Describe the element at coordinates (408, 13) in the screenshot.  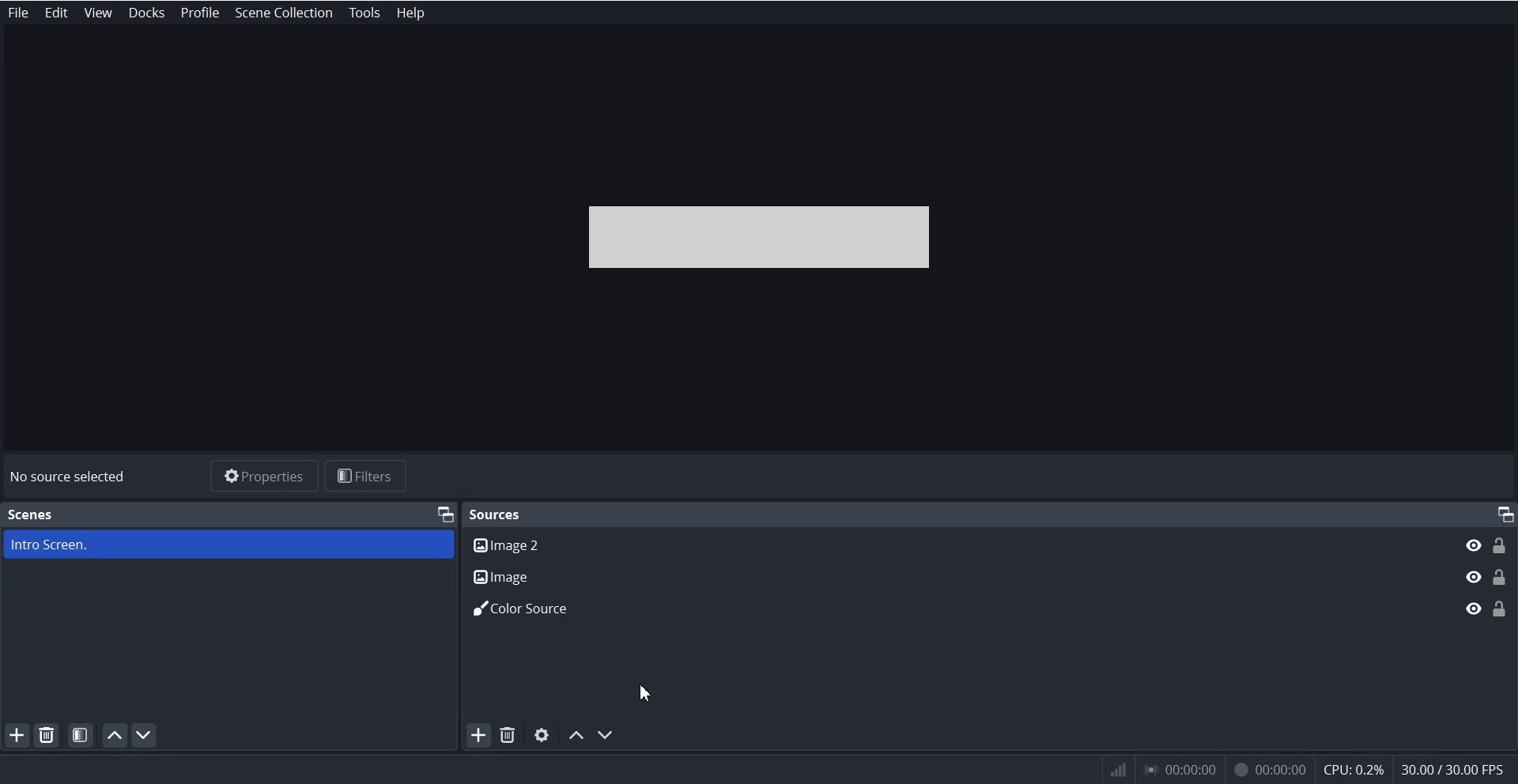
I see `Help` at that location.